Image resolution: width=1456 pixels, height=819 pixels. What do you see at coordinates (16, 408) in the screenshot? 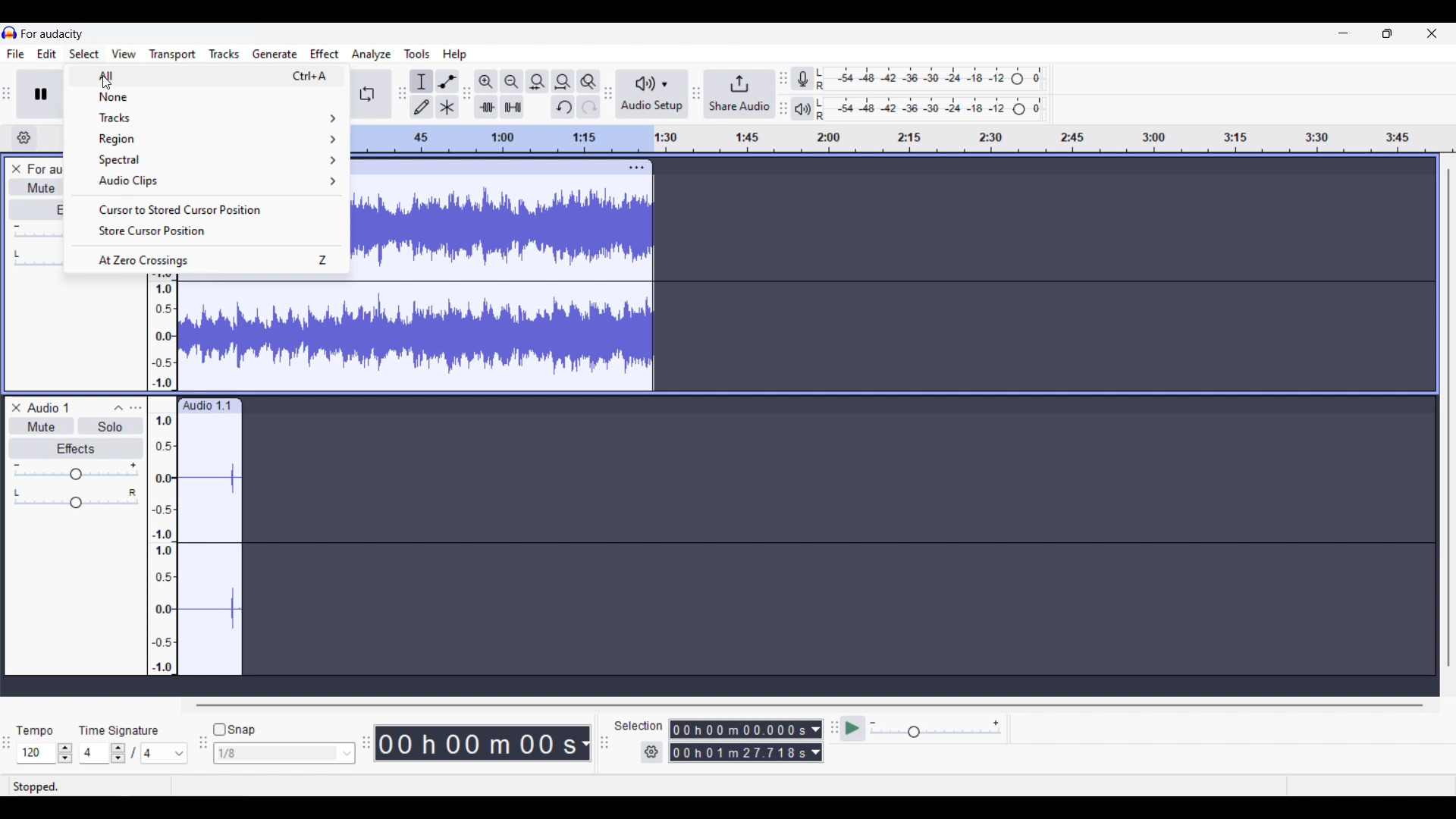
I see `remove track` at bounding box center [16, 408].